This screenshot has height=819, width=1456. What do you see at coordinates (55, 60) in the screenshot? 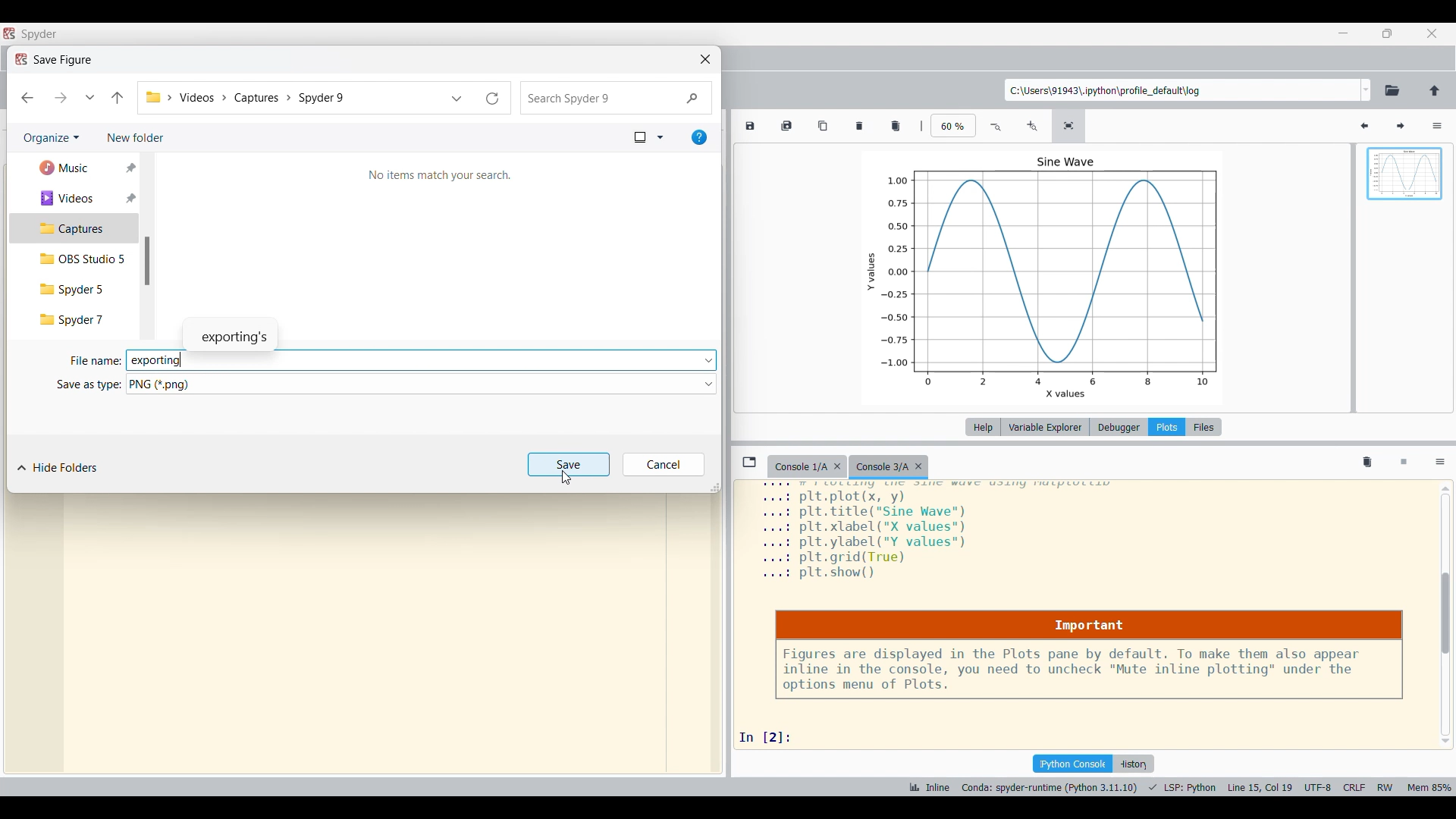
I see `Window title` at bounding box center [55, 60].